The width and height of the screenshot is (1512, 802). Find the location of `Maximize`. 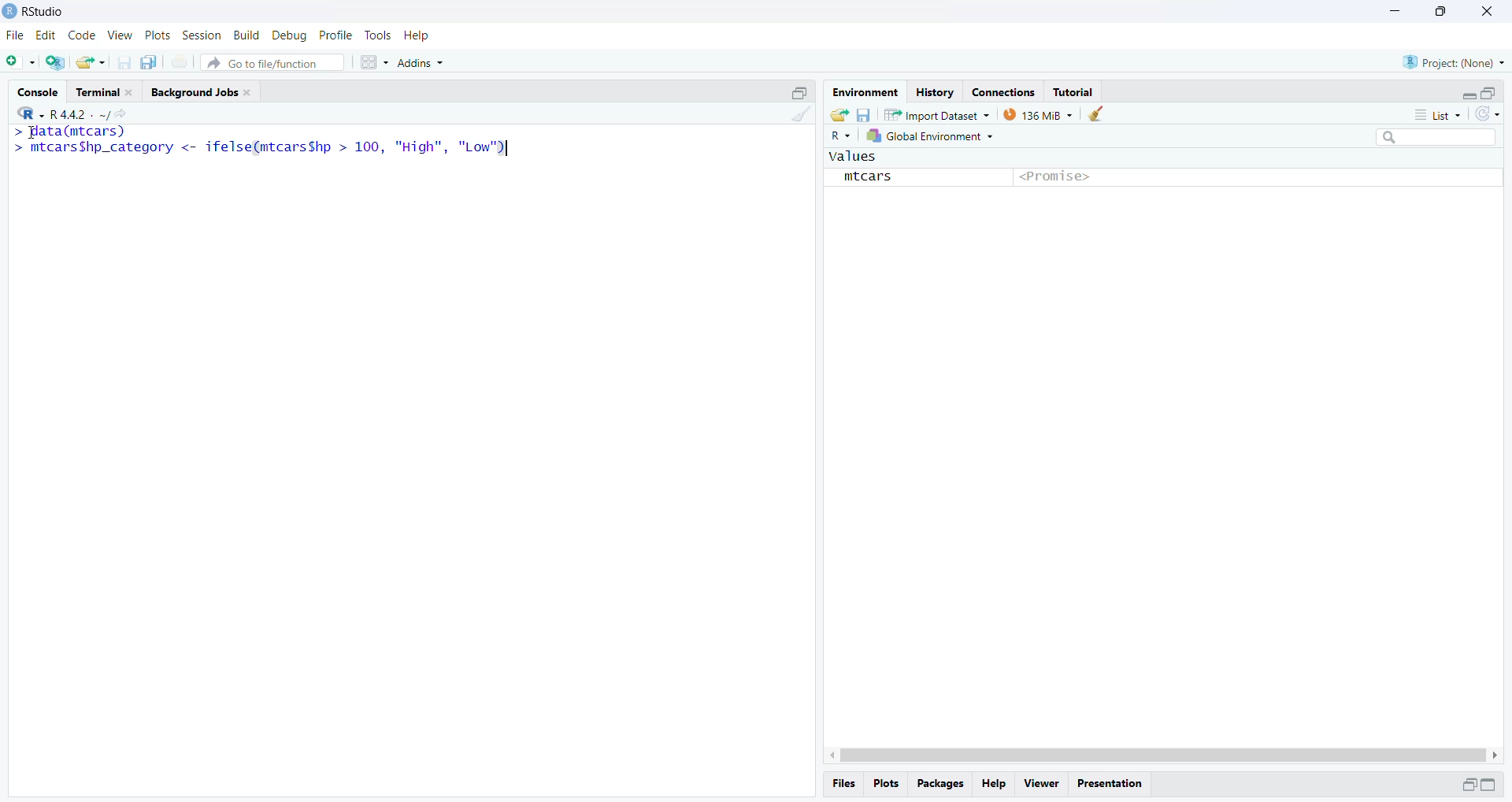

Maximize is located at coordinates (1439, 12).